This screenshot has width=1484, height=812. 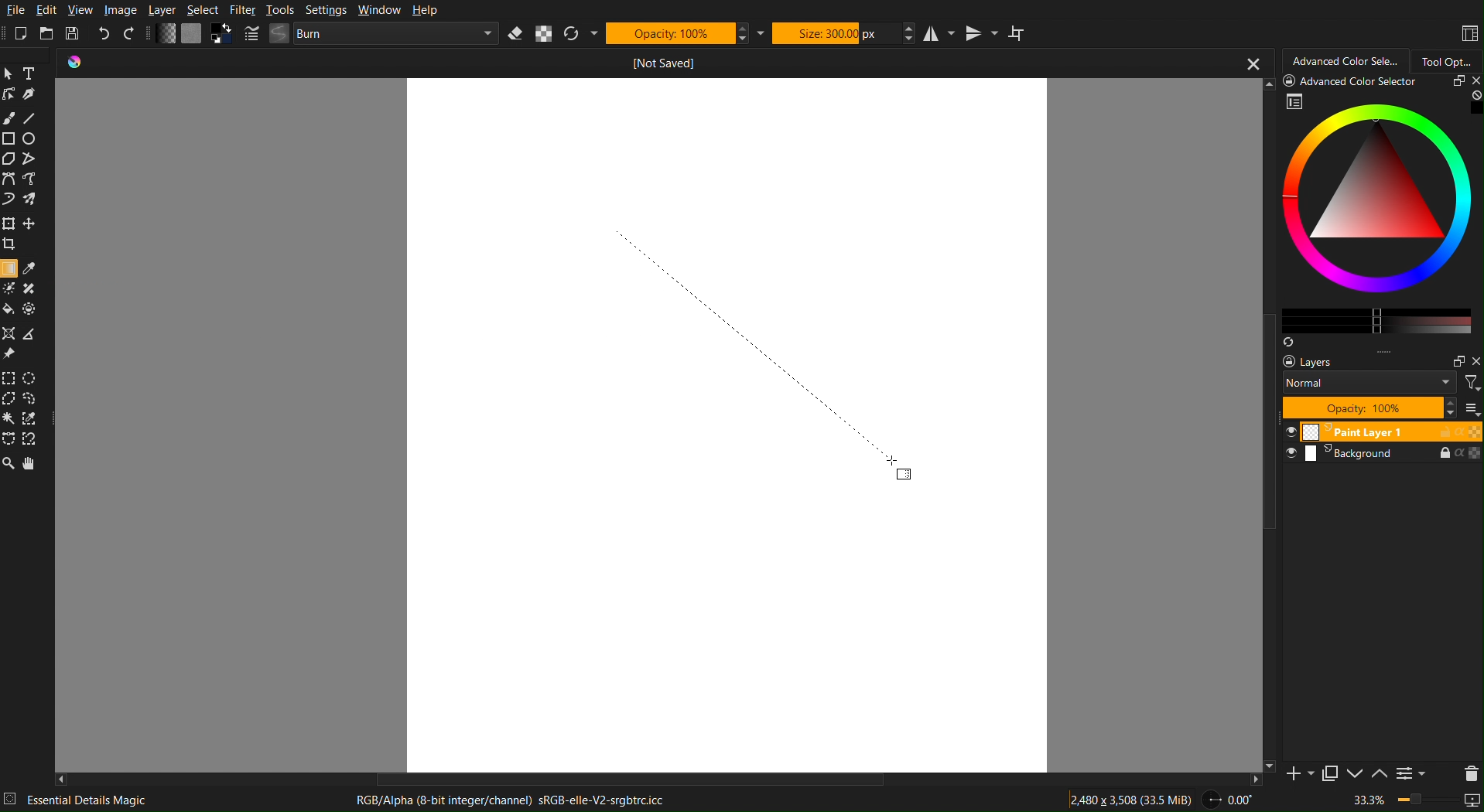 What do you see at coordinates (1373, 210) in the screenshot?
I see `Advanced Color Selector` at bounding box center [1373, 210].